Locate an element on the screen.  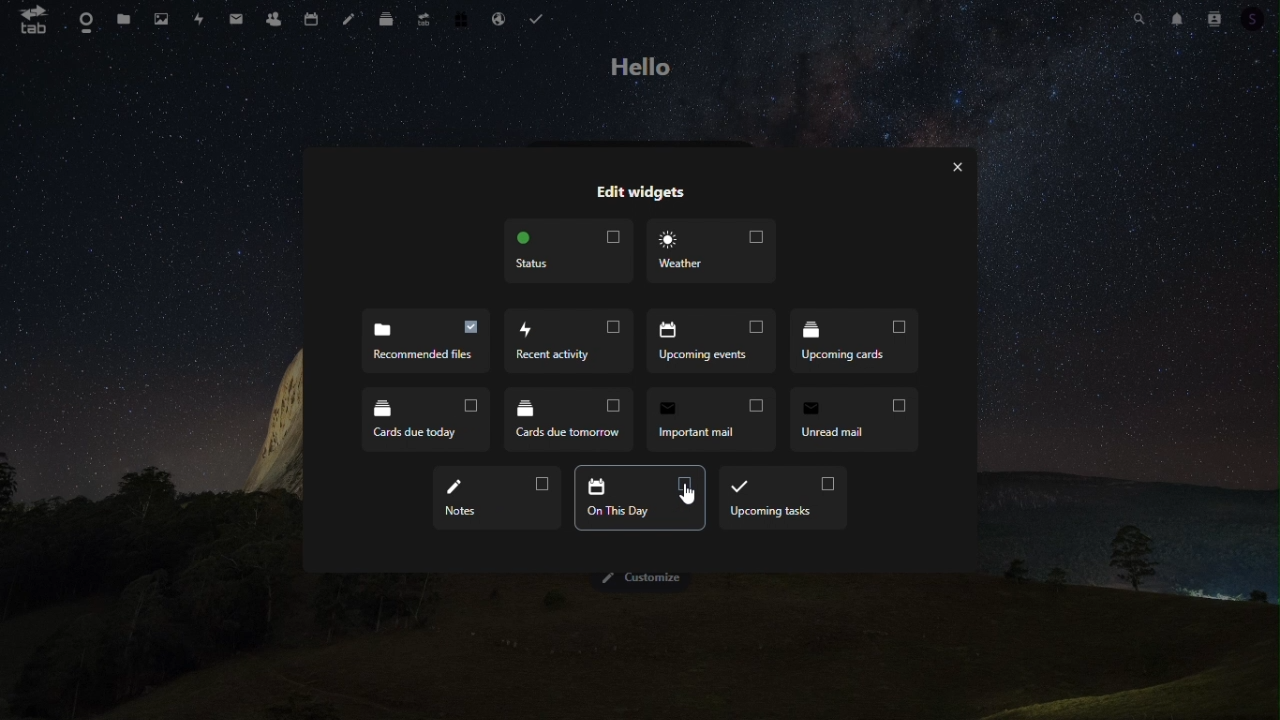
deck is located at coordinates (386, 19).